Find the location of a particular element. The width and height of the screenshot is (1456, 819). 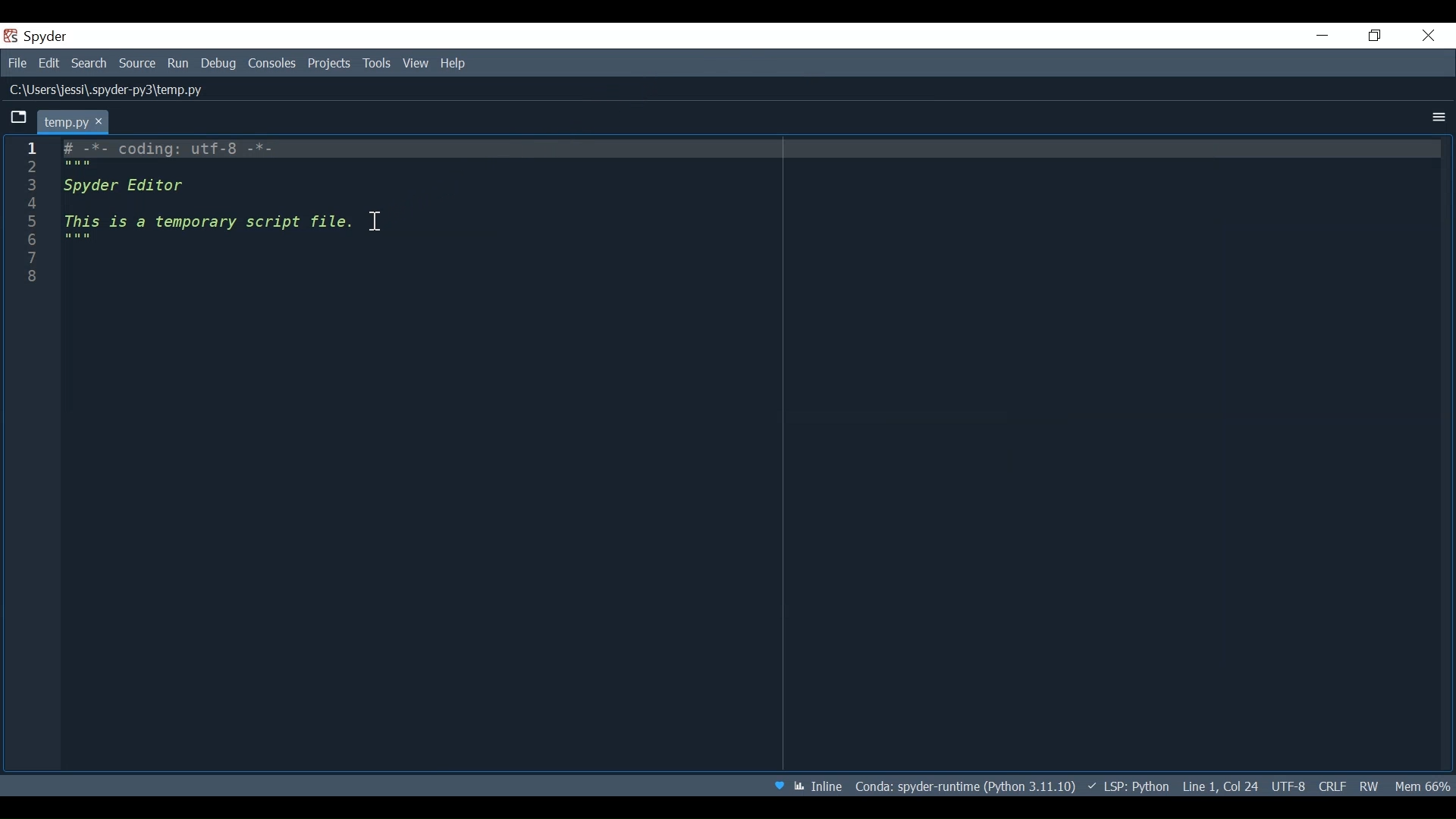

Edit is located at coordinates (51, 65).